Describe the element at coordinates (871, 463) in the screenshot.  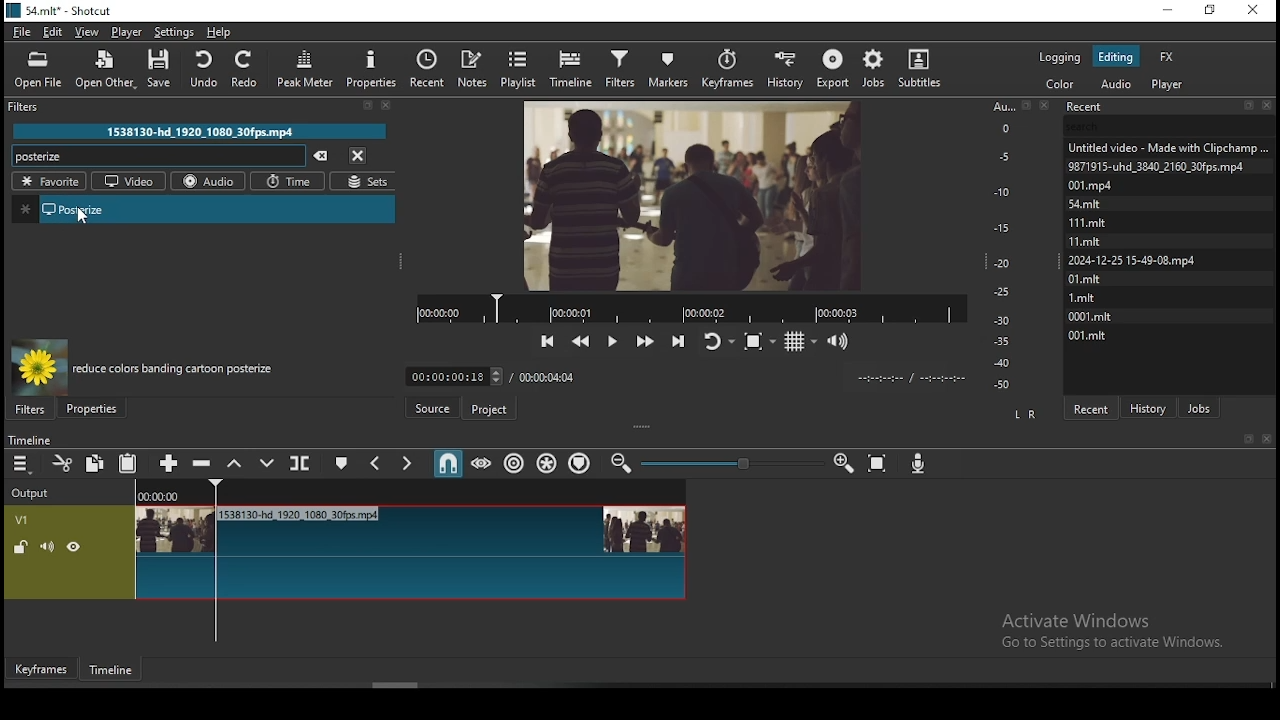
I see `zoom timeline to fit` at that location.